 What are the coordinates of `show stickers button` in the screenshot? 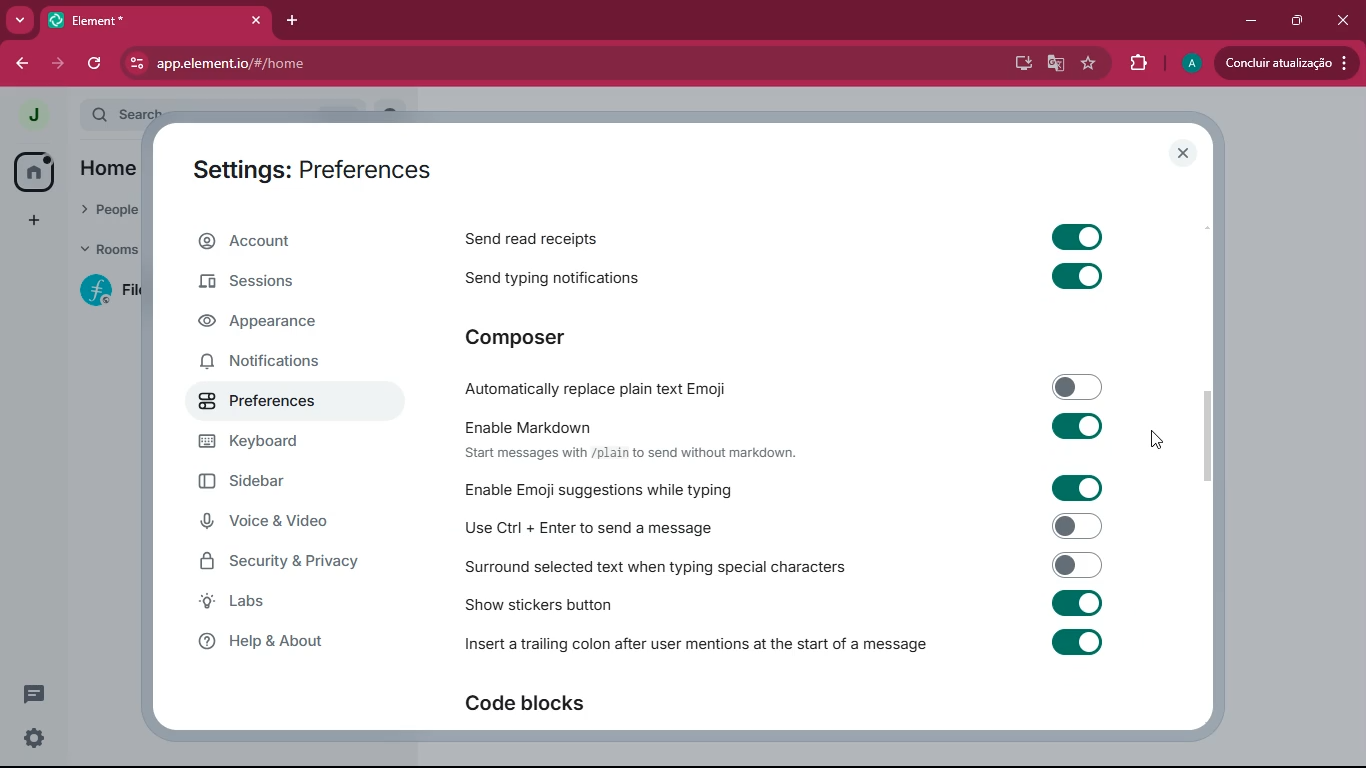 It's located at (543, 604).